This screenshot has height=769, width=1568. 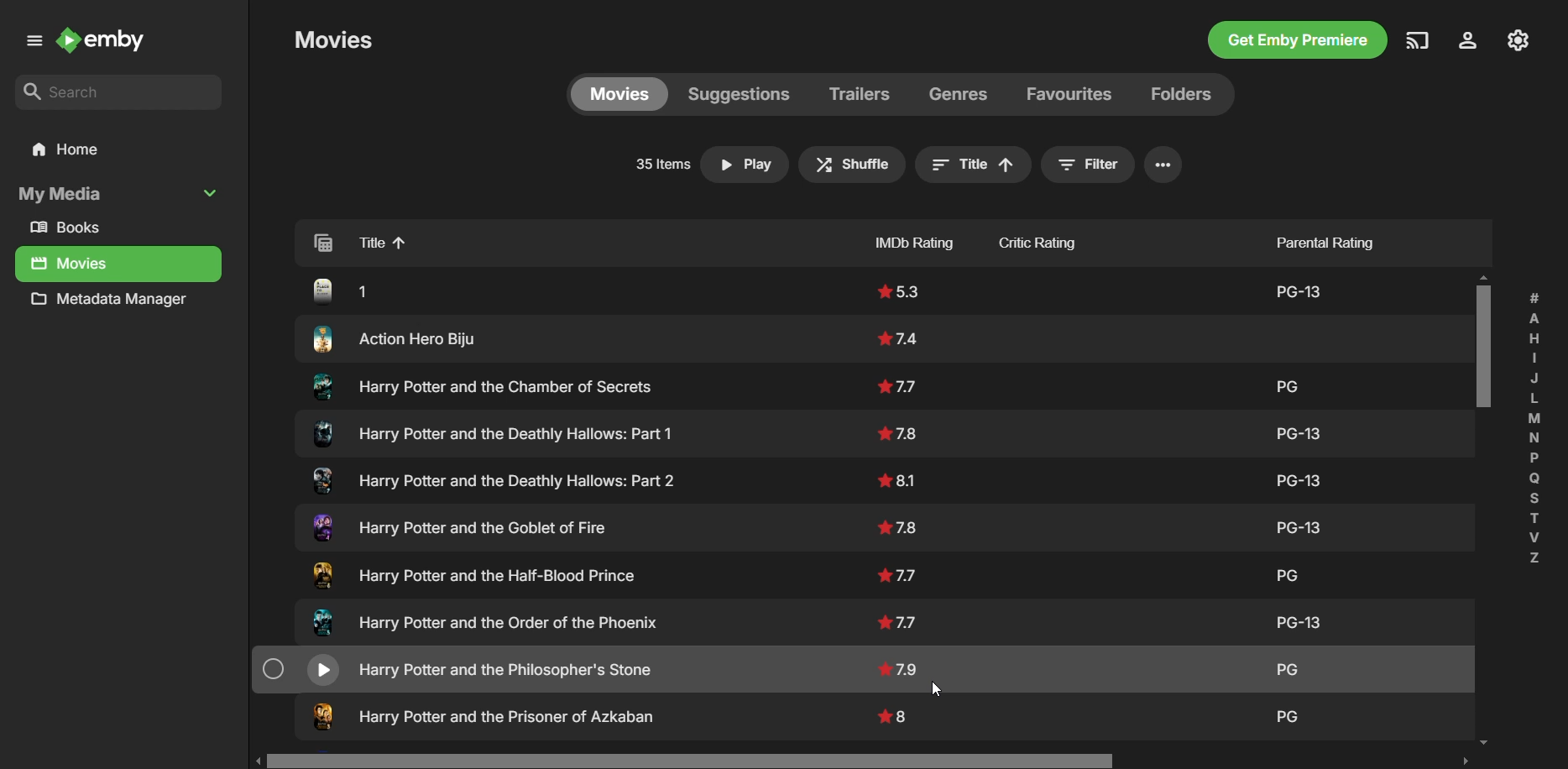 I want to click on Filter, so click(x=1082, y=165).